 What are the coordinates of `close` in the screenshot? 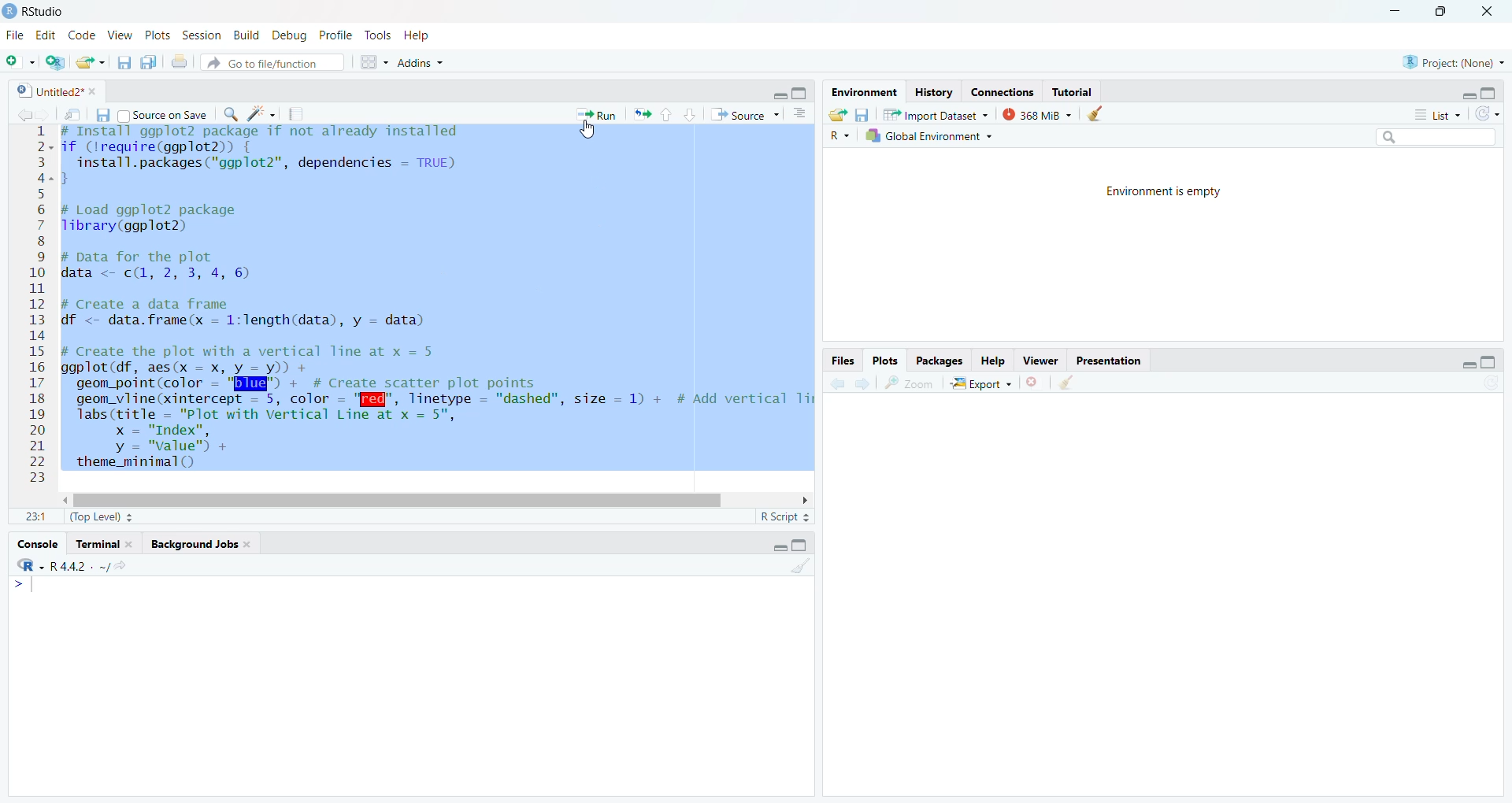 It's located at (1492, 13).